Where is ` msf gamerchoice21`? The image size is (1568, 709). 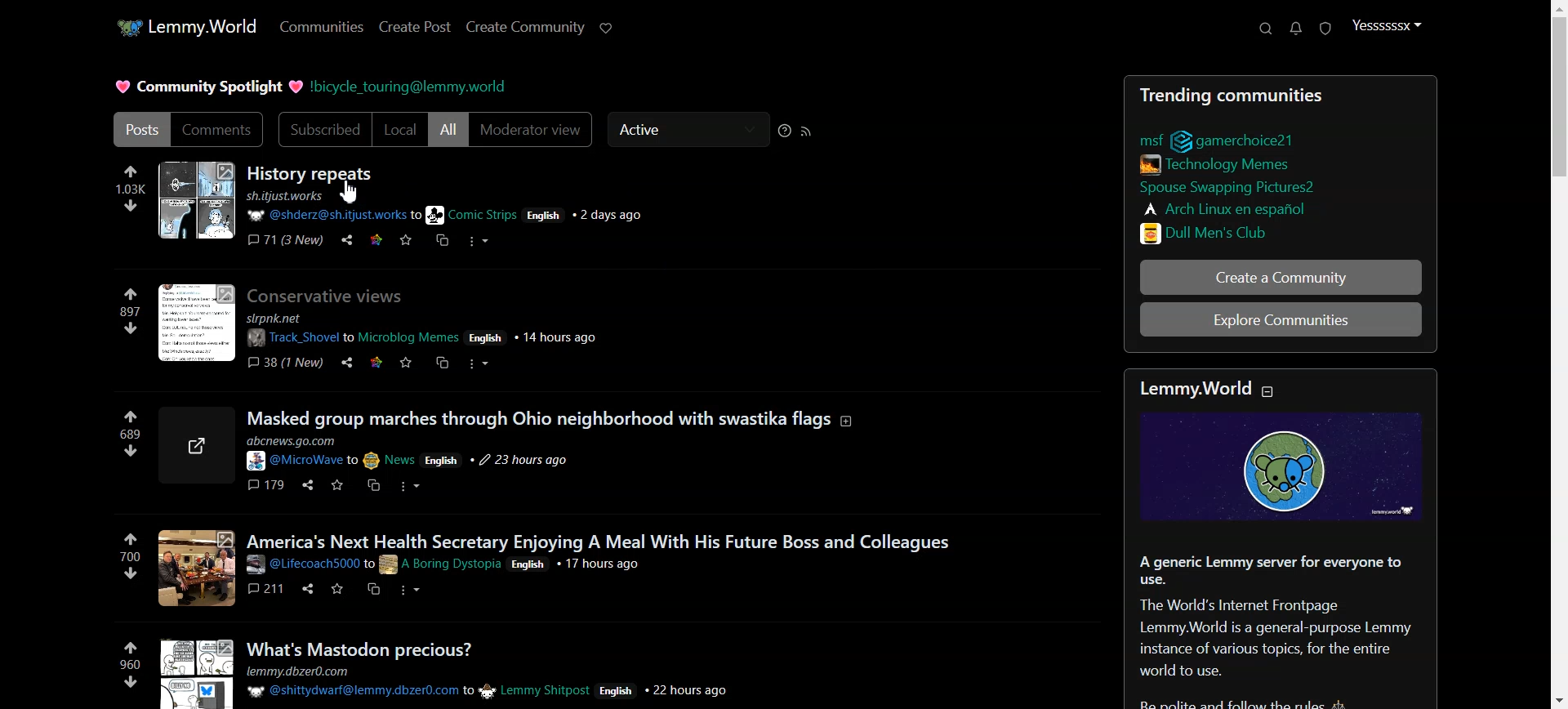  msf gamerchoice21 is located at coordinates (1233, 140).